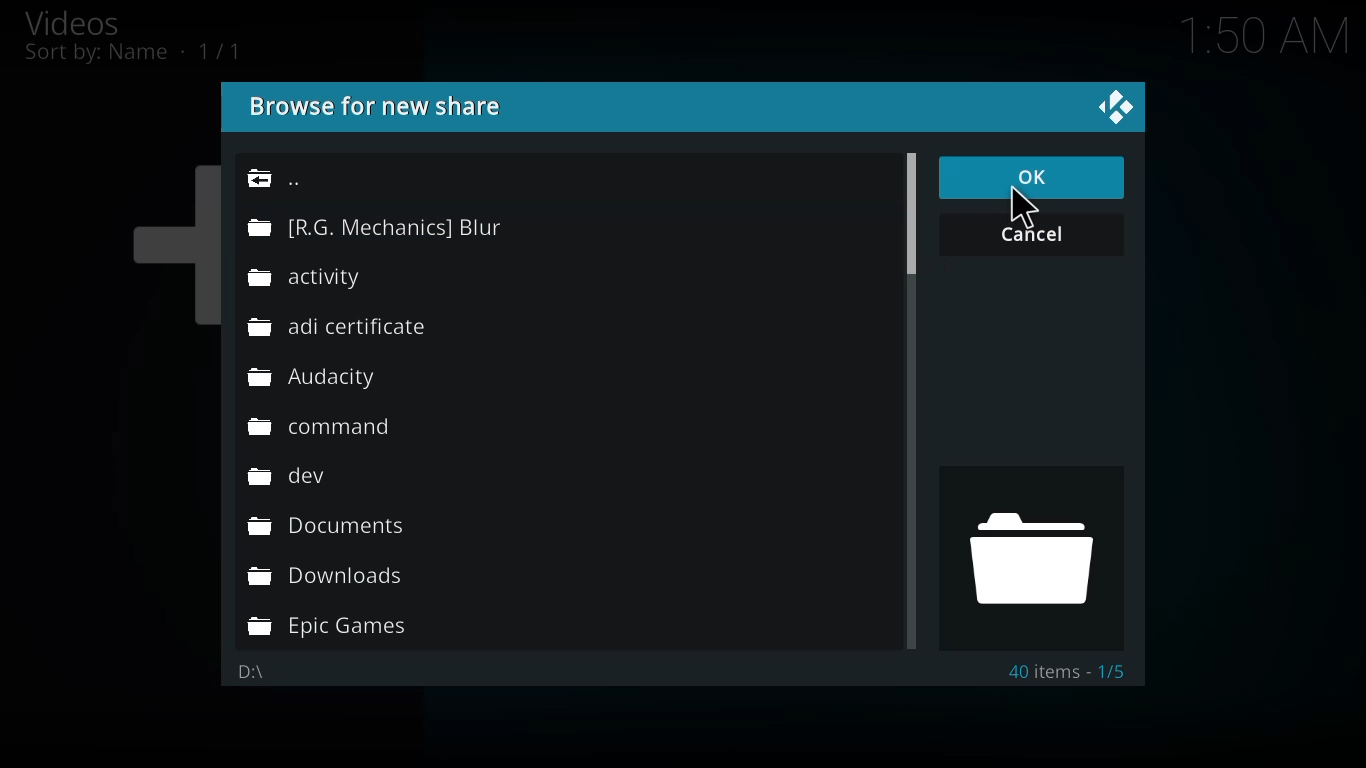 The image size is (1366, 768). Describe the element at coordinates (386, 226) in the screenshot. I see `folder` at that location.